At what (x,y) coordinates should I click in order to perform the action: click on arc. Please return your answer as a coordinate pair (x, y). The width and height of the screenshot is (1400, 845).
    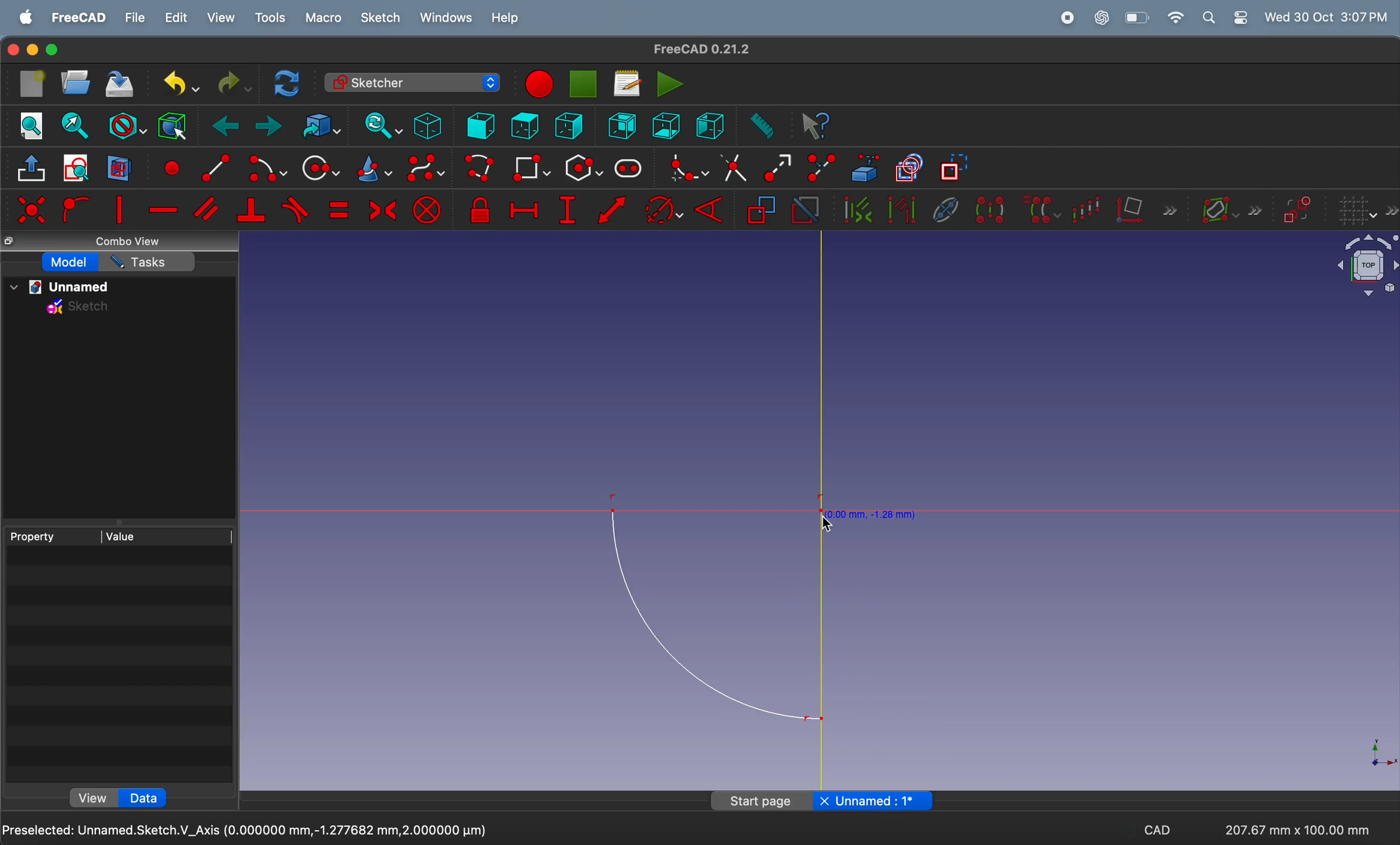
    Looking at the image, I should click on (715, 615).